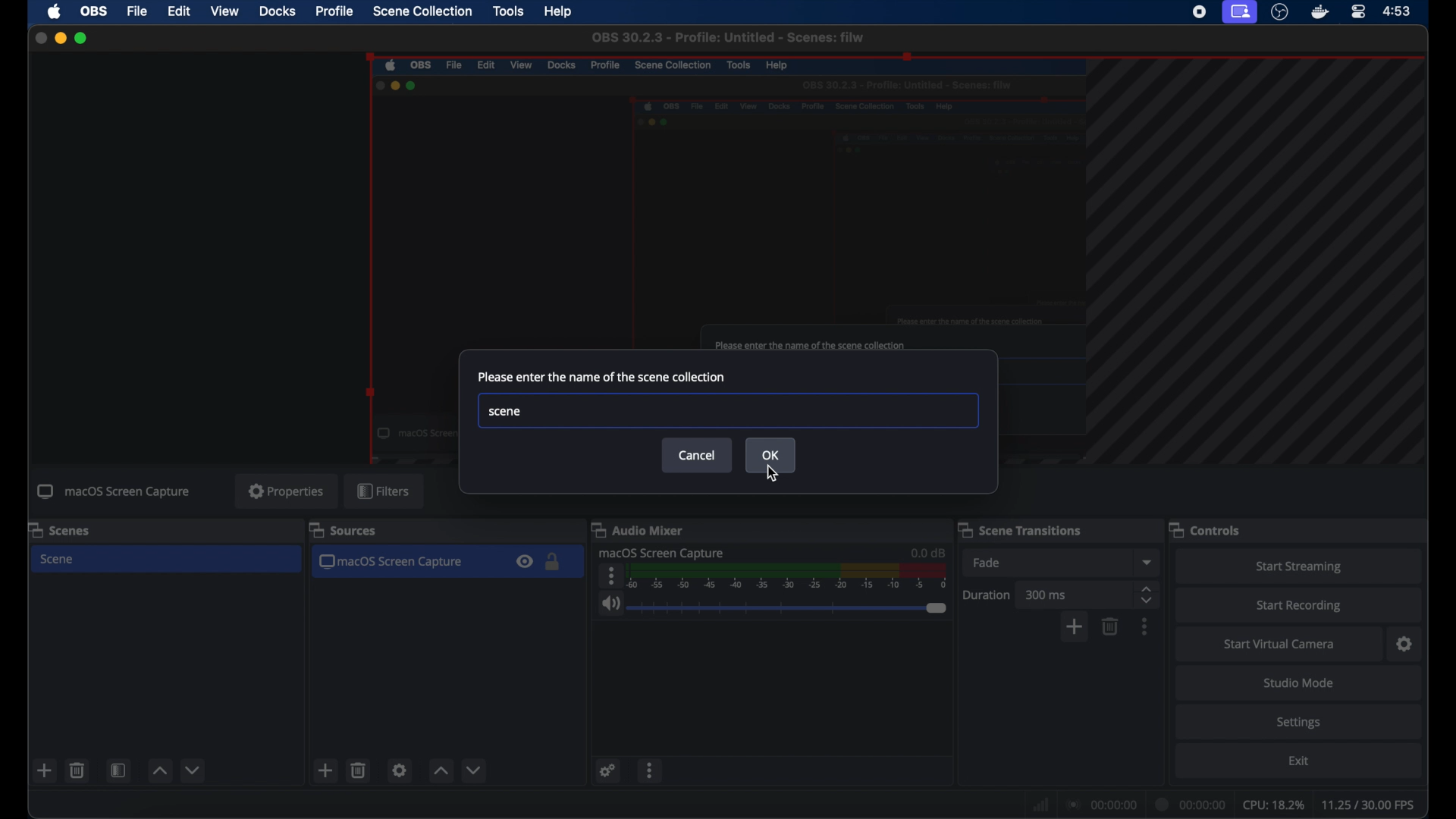  Describe the element at coordinates (193, 770) in the screenshot. I see `decrement` at that location.